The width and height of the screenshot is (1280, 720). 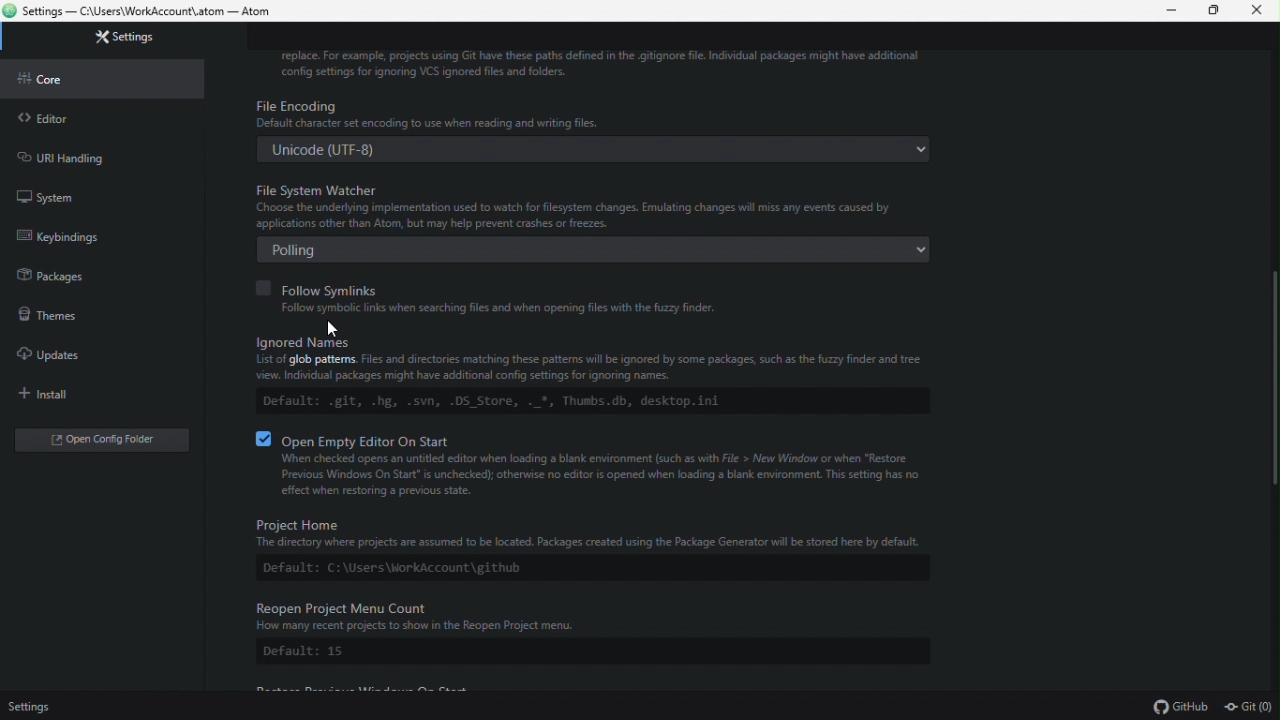 What do you see at coordinates (91, 277) in the screenshot?
I see `packages` at bounding box center [91, 277].